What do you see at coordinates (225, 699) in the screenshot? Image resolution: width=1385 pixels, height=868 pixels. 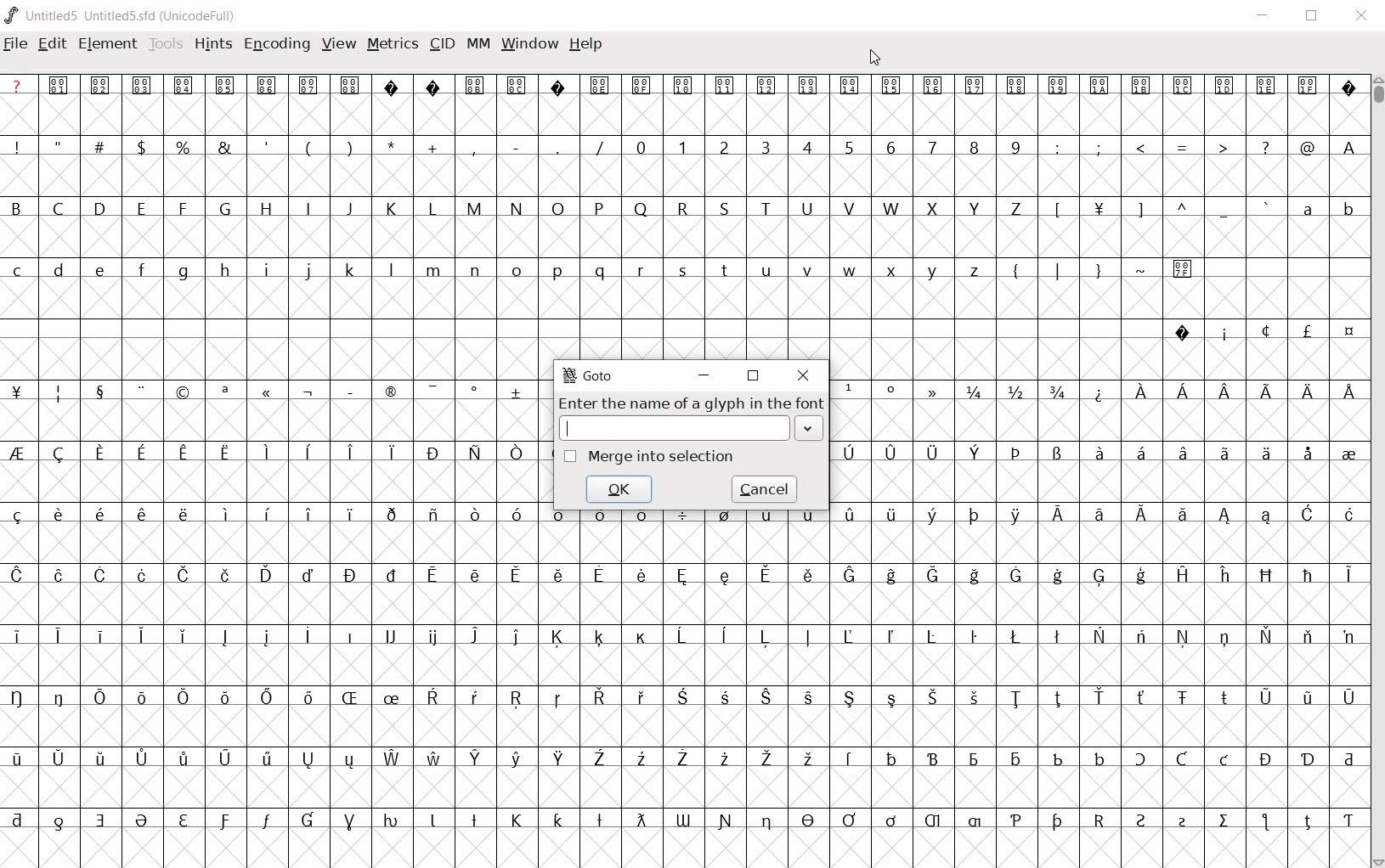 I see `Symbol` at bounding box center [225, 699].